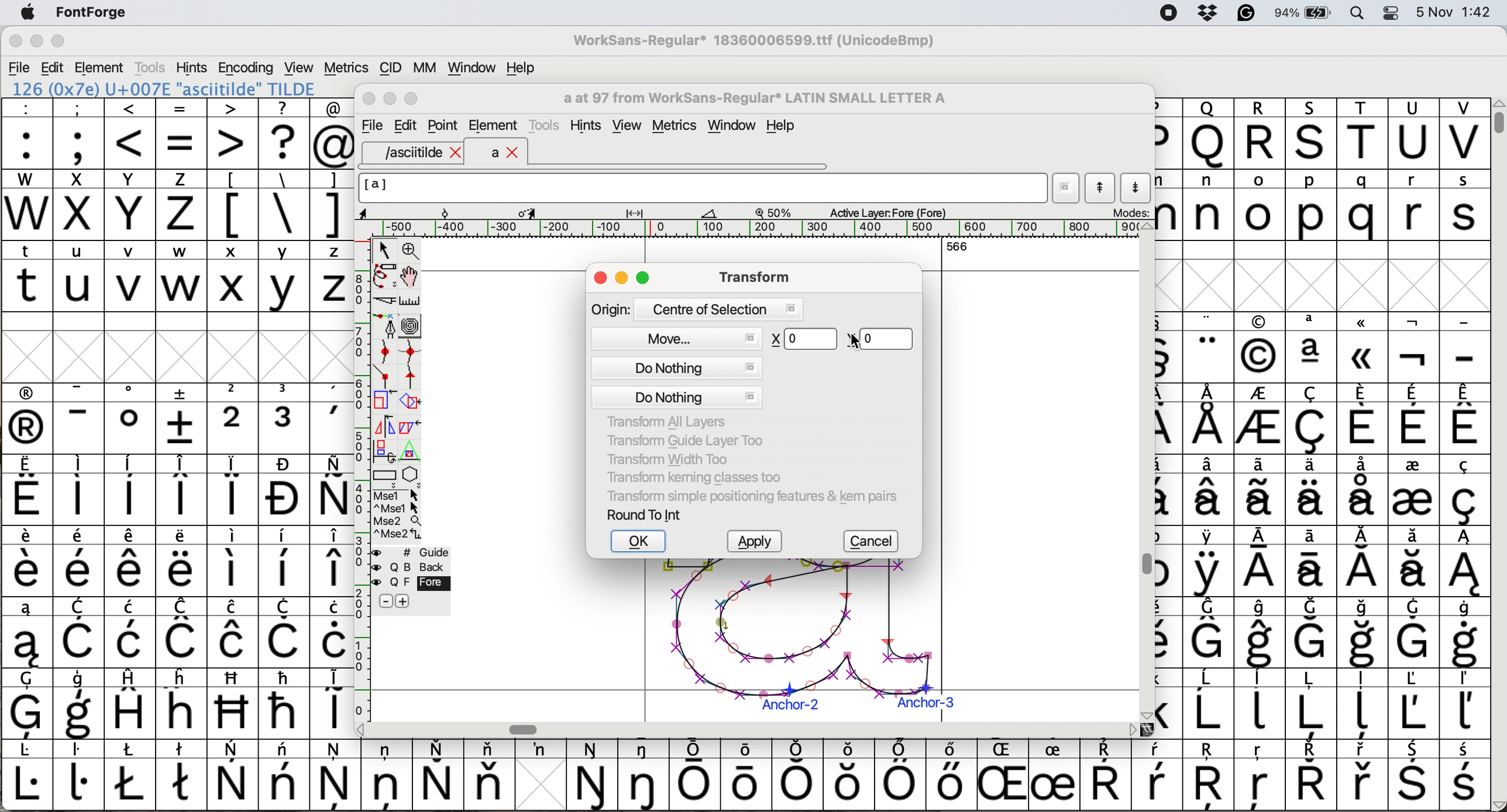 This screenshot has height=812, width=1507. I want to click on round to int, so click(645, 514).